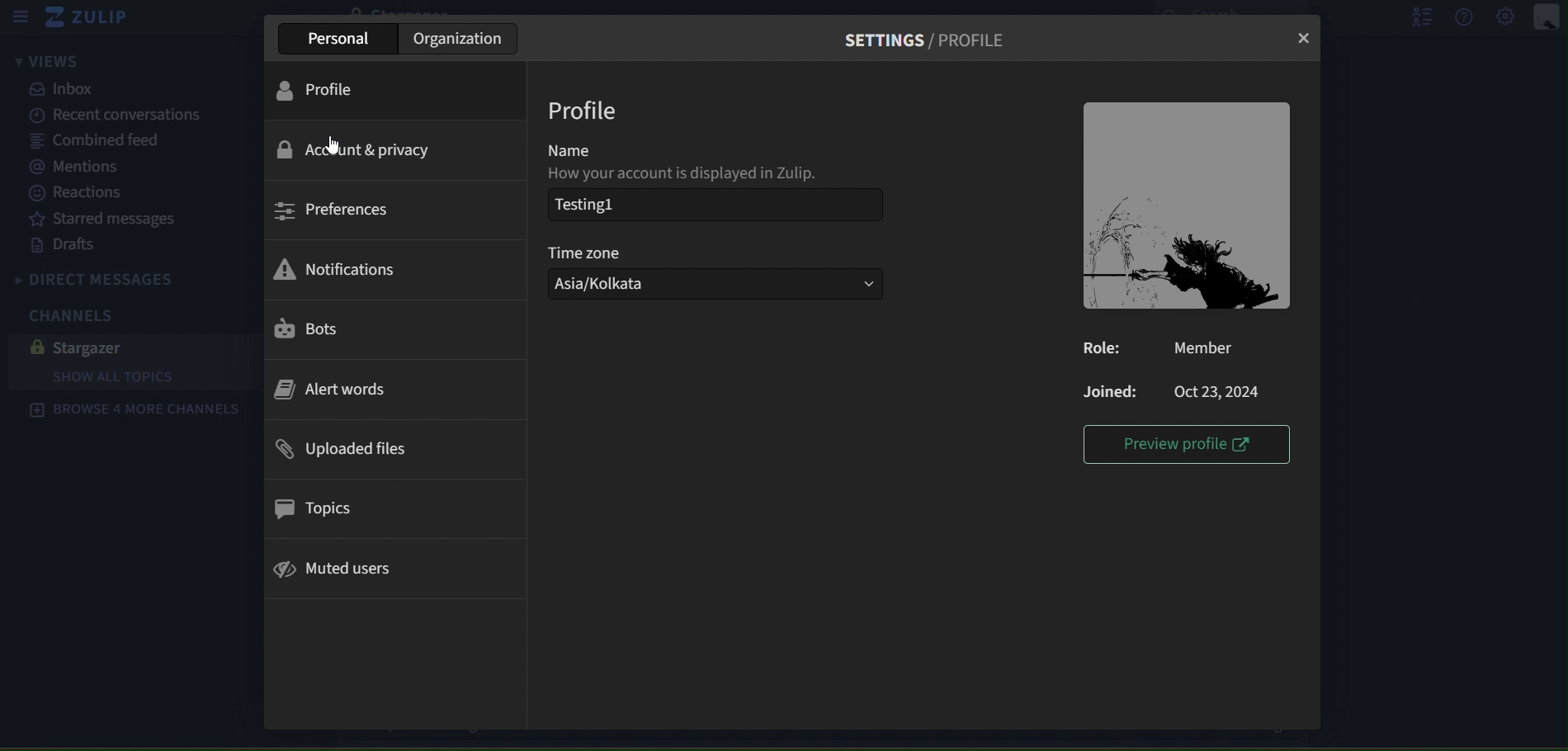 The image size is (1568, 751). I want to click on personal menu, so click(1549, 17).